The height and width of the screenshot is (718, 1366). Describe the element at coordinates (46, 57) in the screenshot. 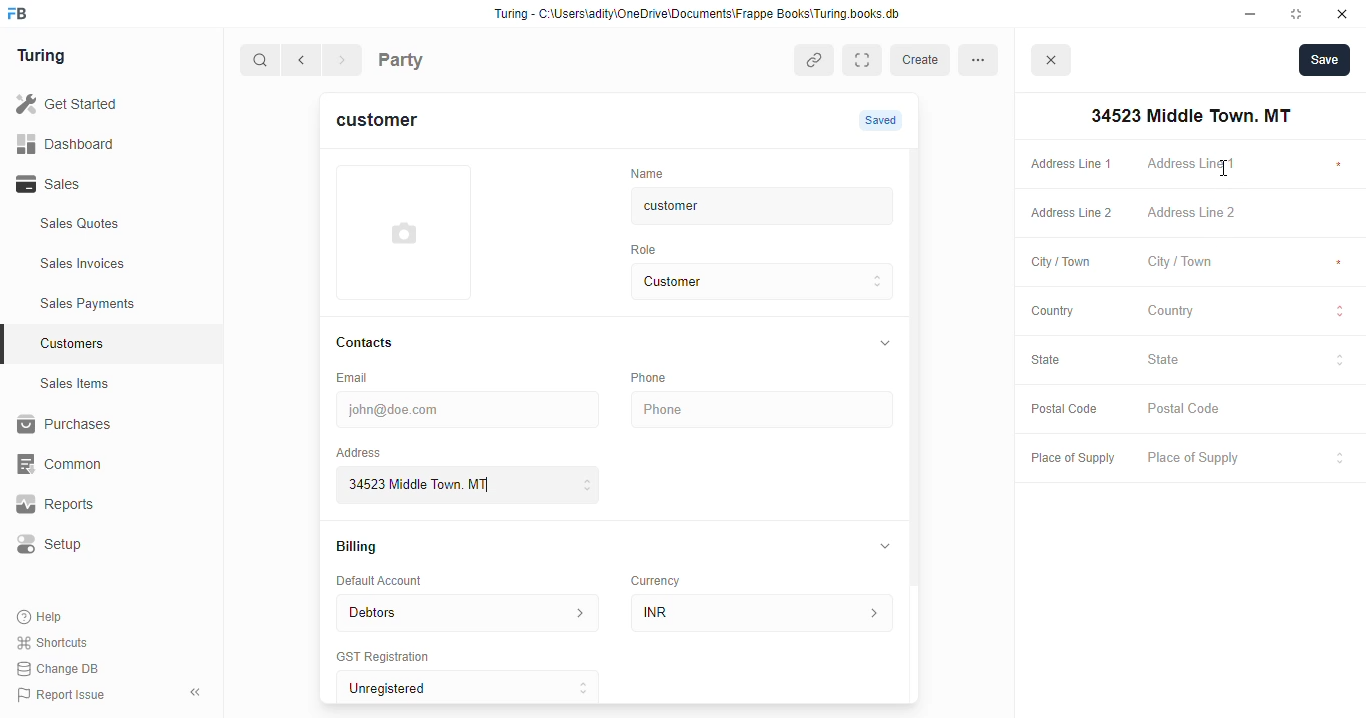

I see `Turing` at that location.